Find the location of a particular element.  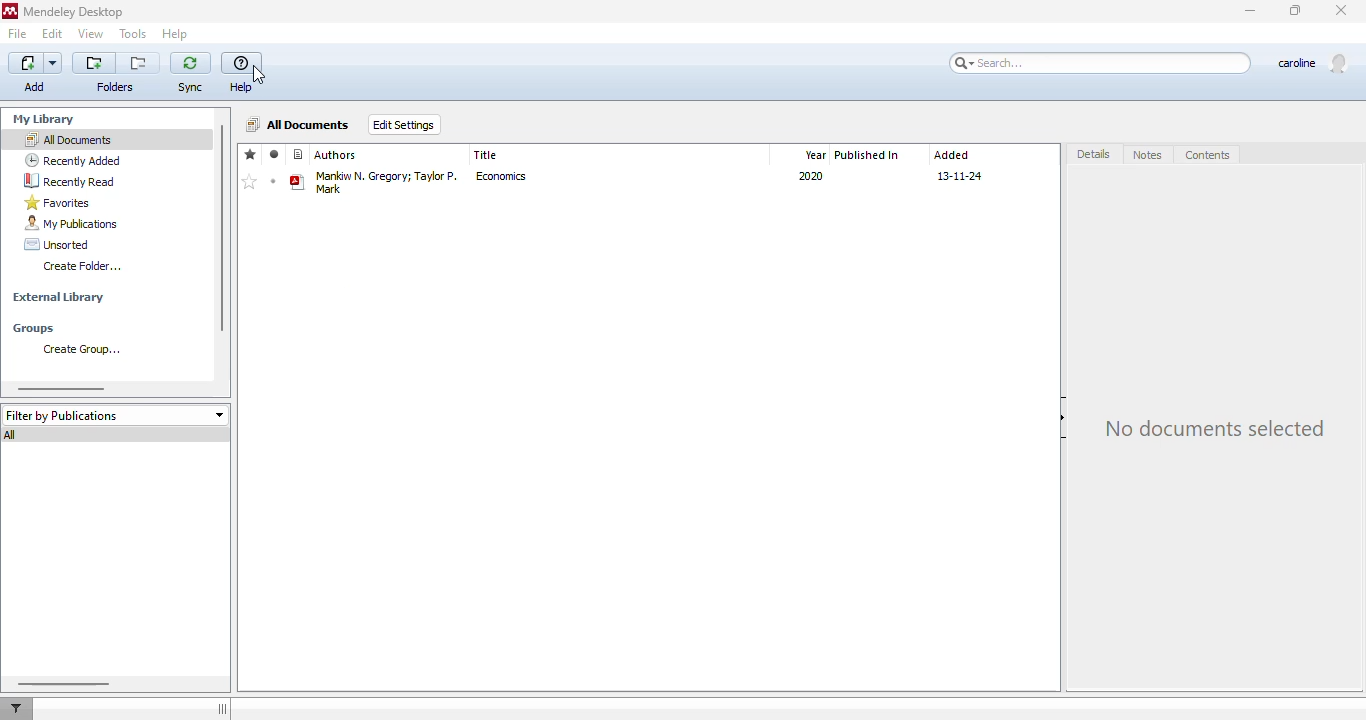

cursor is located at coordinates (259, 75).